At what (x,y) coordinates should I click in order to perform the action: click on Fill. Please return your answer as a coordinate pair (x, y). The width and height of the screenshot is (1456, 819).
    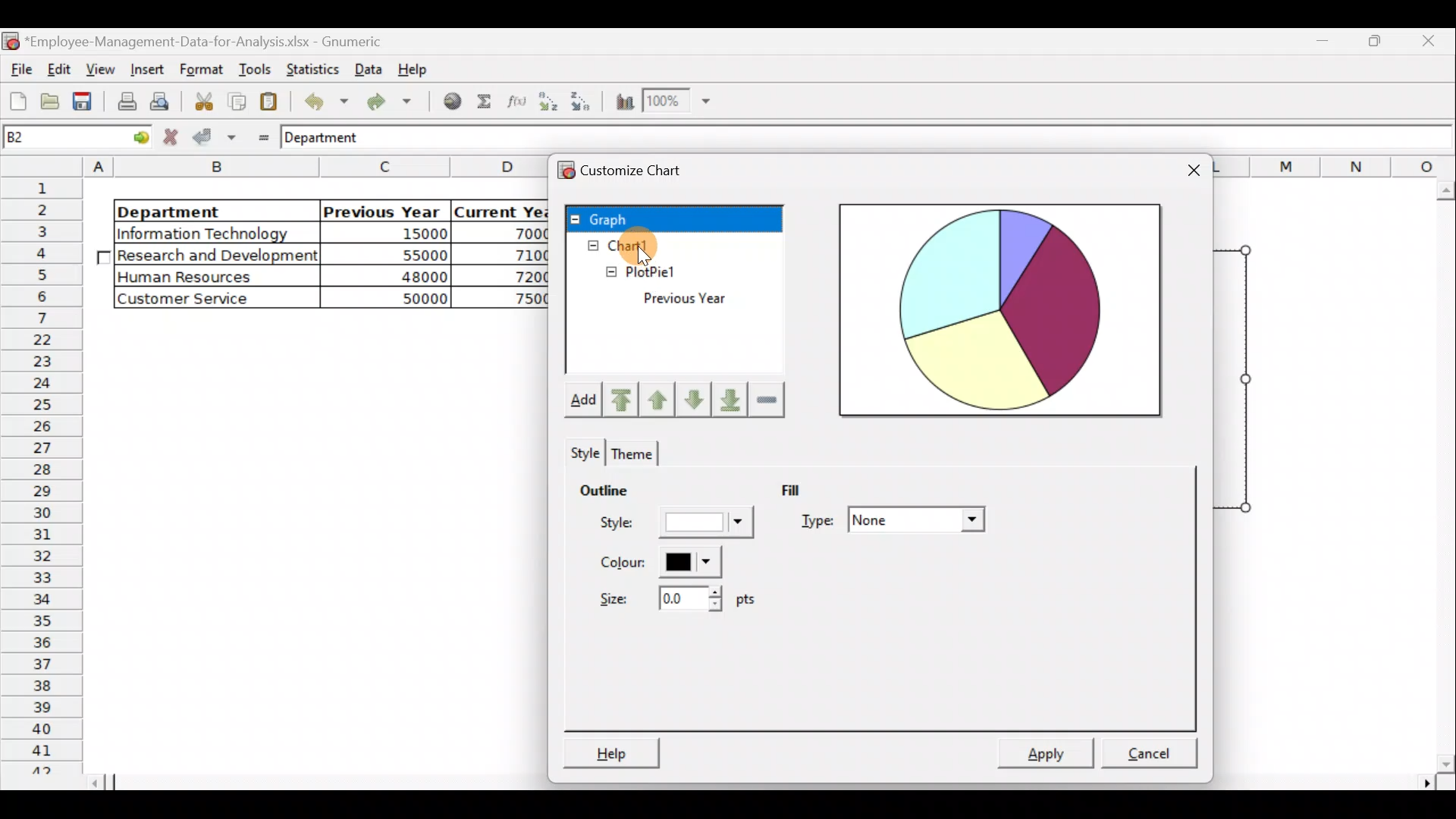
    Looking at the image, I should click on (804, 491).